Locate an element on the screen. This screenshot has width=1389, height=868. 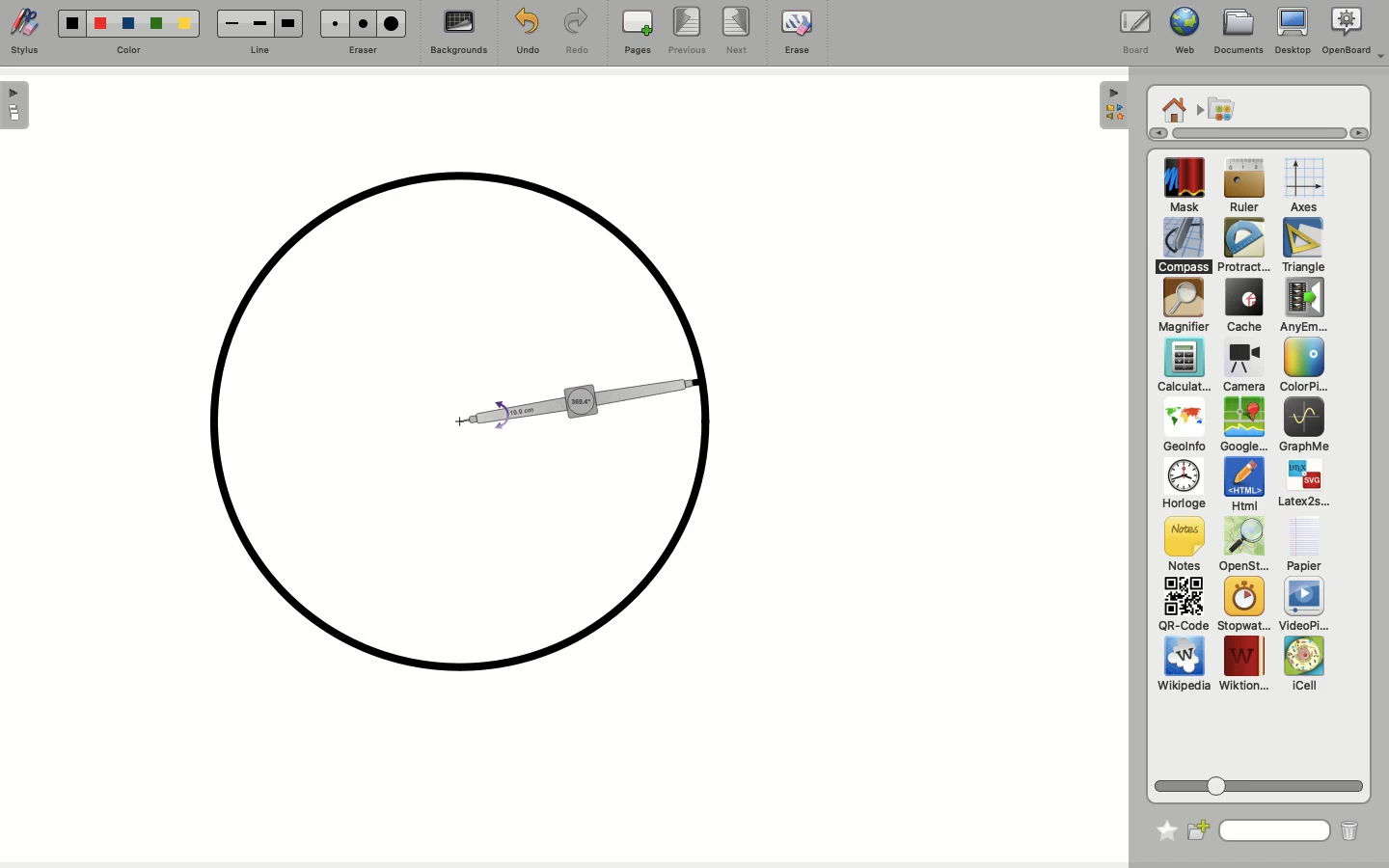
Documents is located at coordinates (1239, 32).